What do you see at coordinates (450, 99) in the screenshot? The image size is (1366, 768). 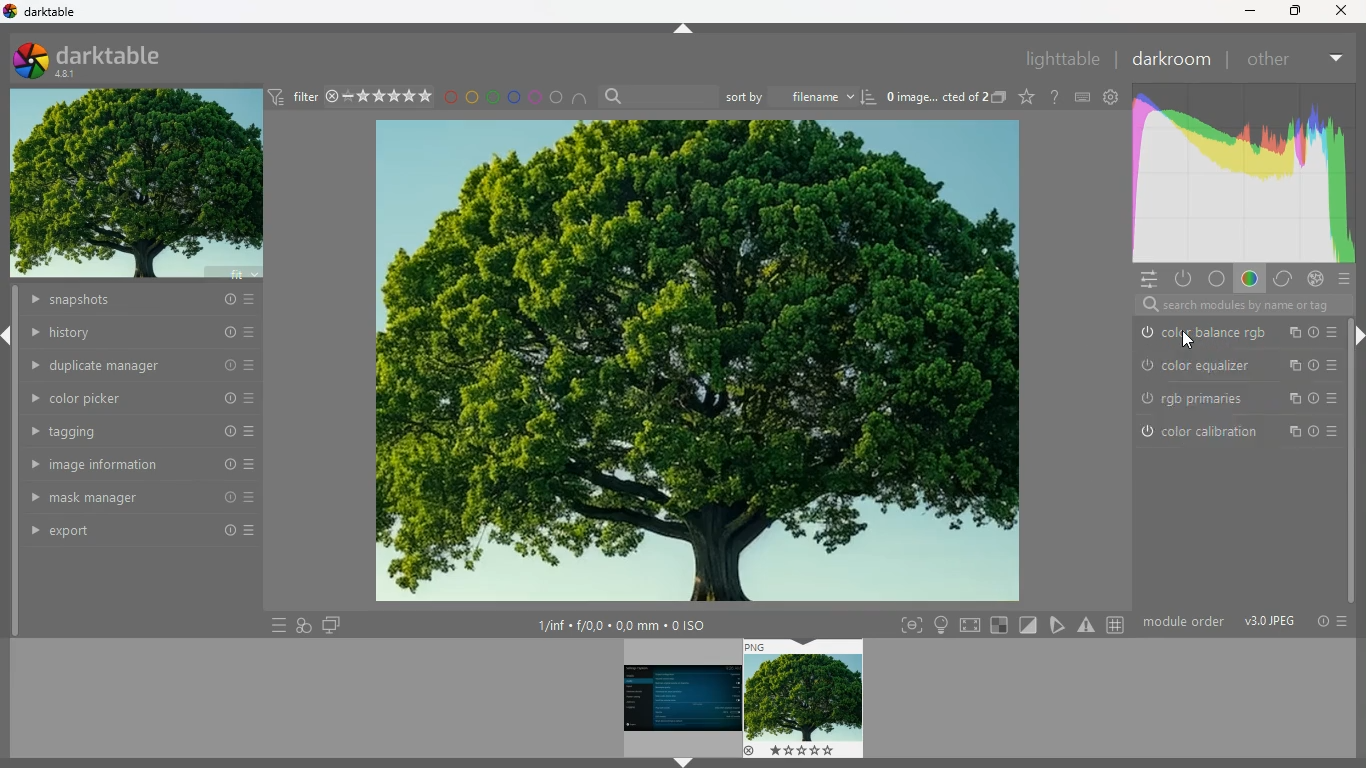 I see `red` at bounding box center [450, 99].